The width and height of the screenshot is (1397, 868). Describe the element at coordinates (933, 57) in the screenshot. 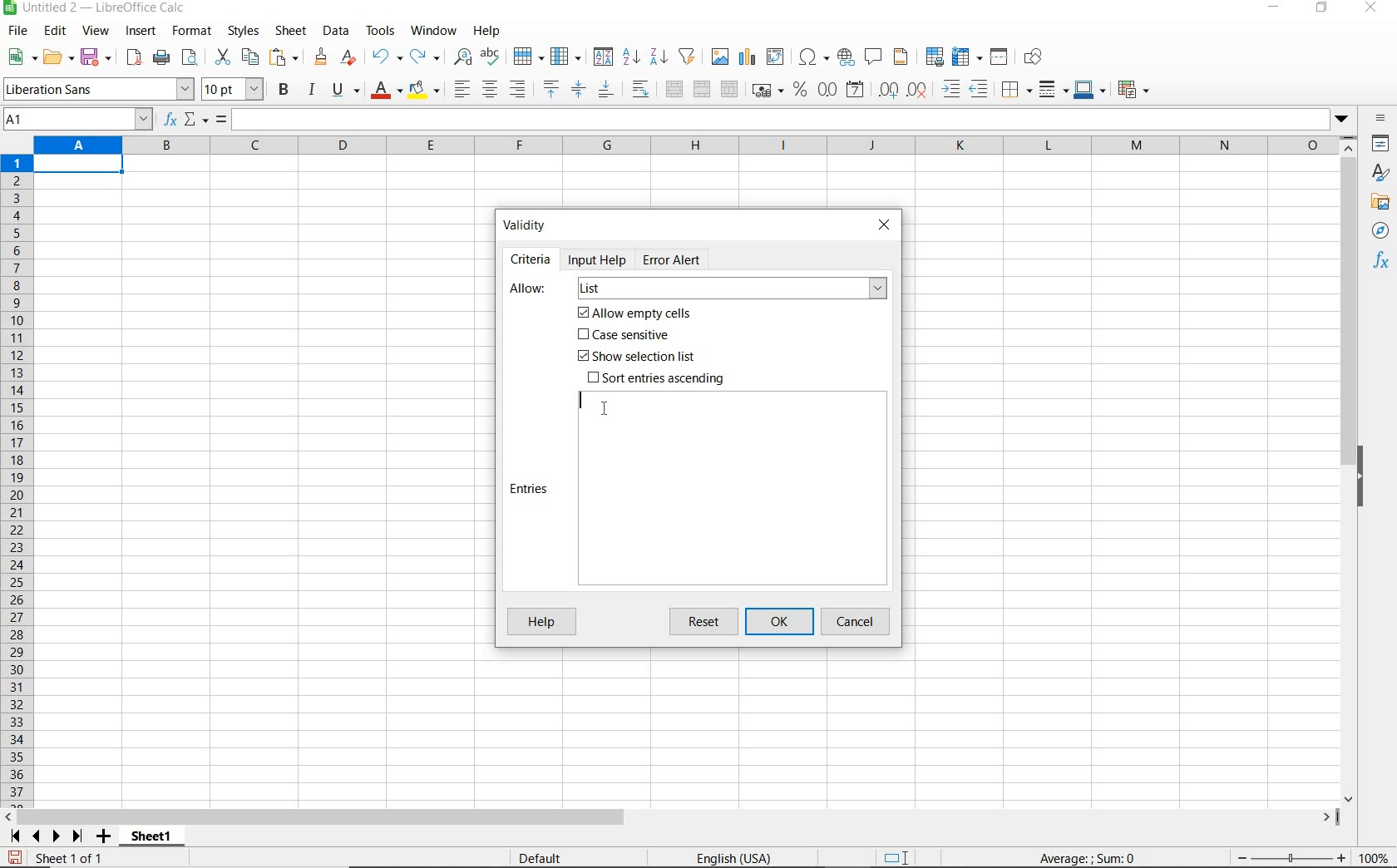

I see `define print area` at that location.